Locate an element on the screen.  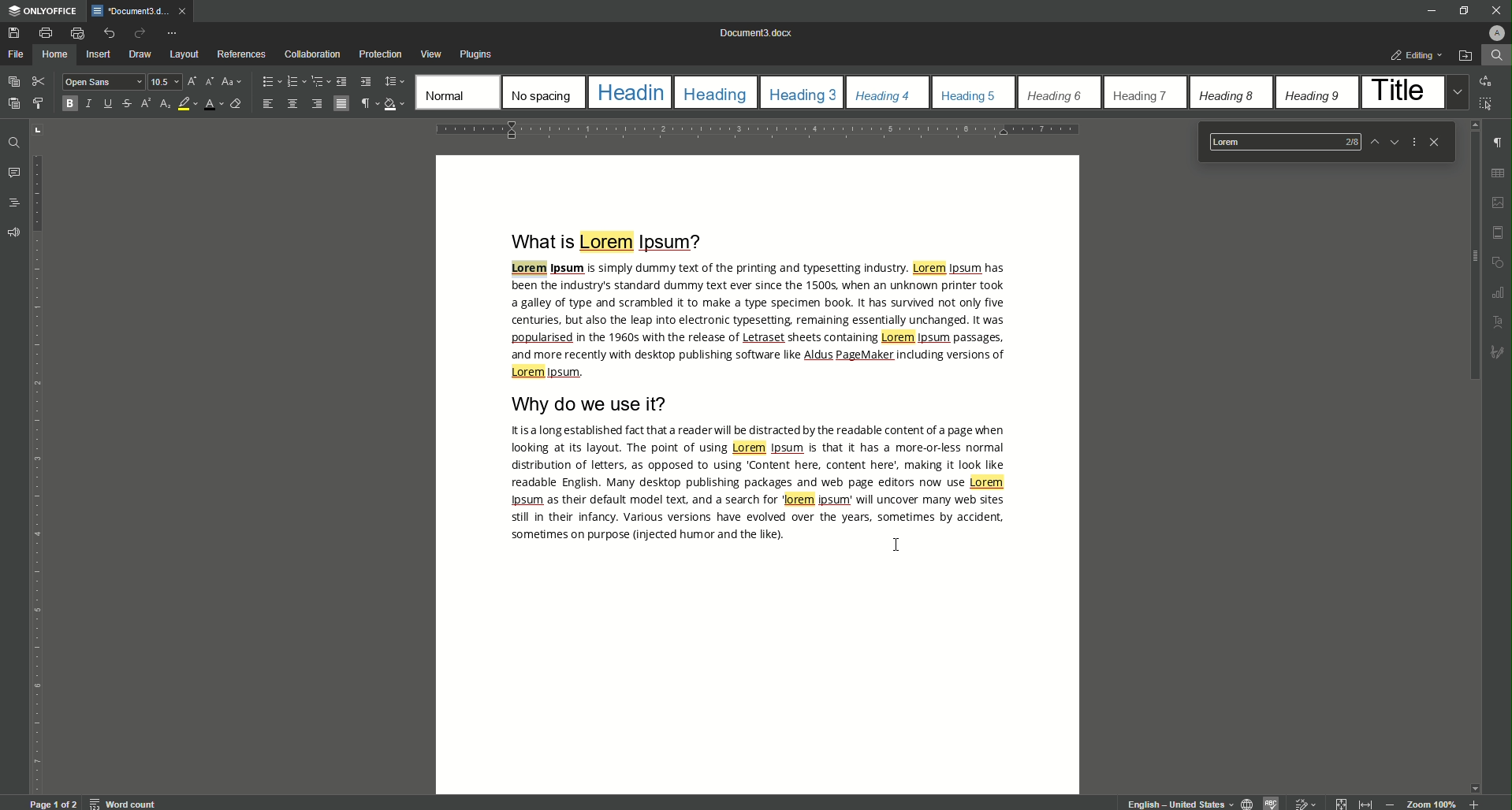
Document 0 is located at coordinates (757, 33).